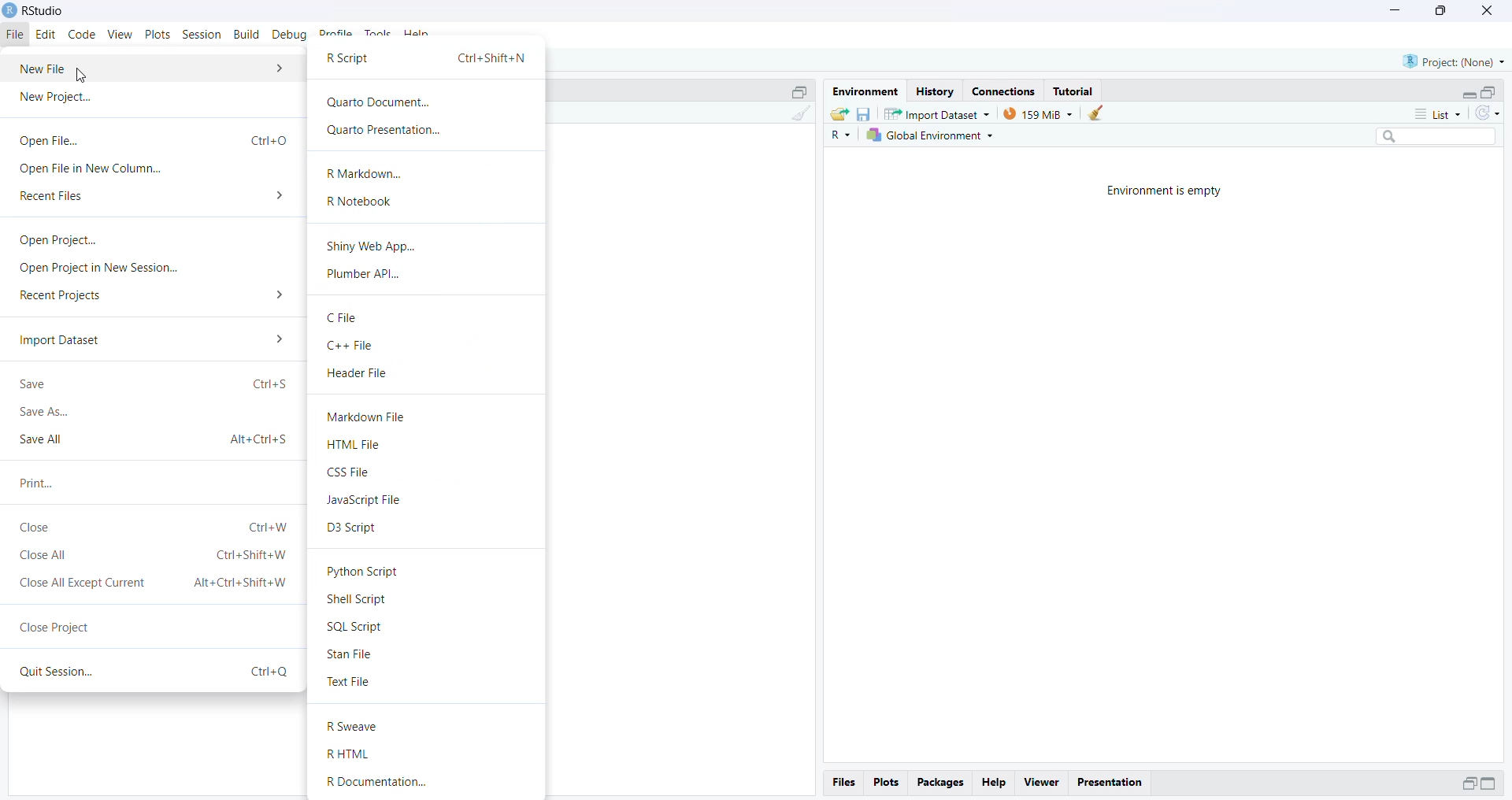 The image size is (1512, 800). I want to click on Close Project, so click(56, 624).